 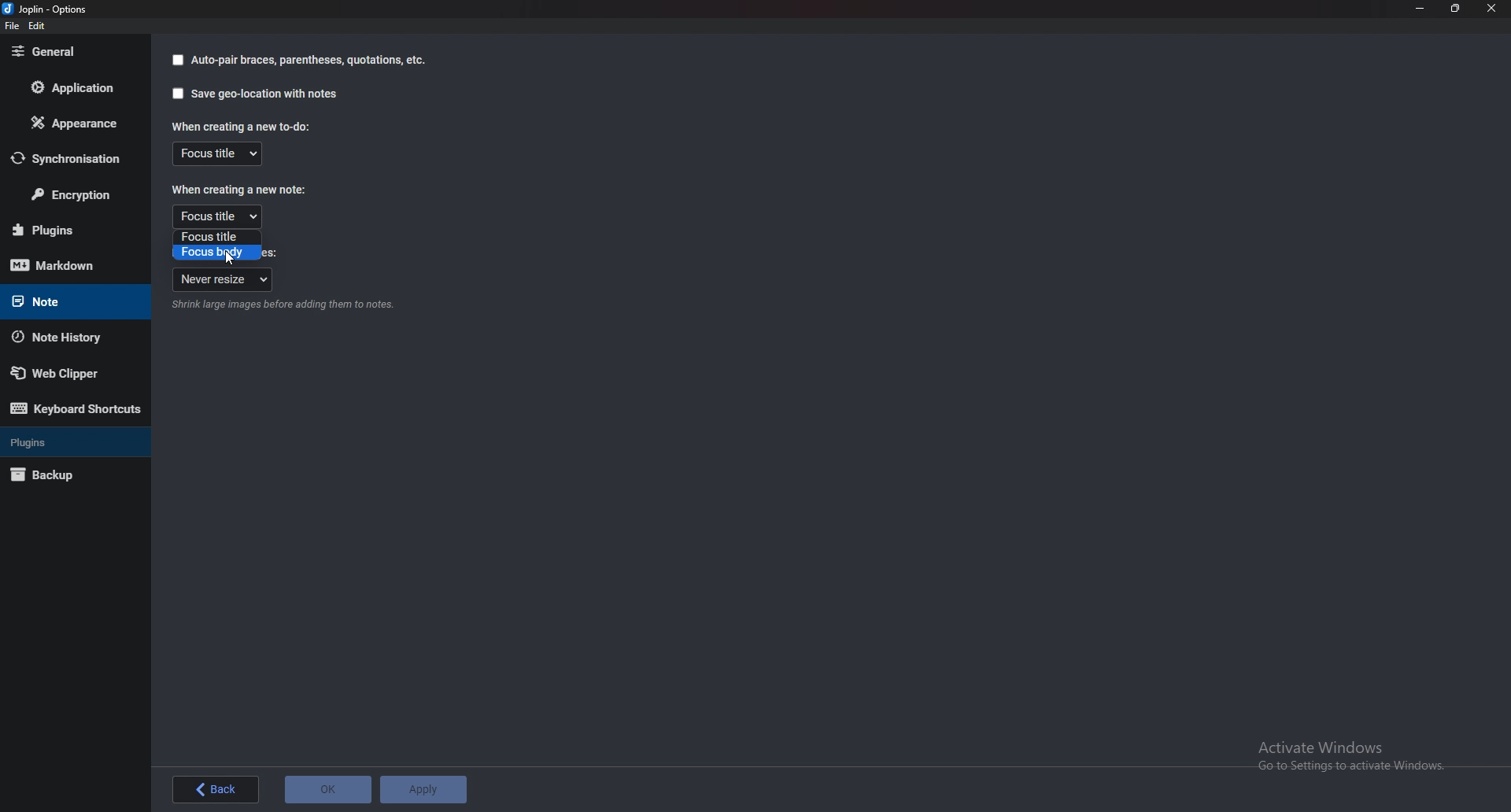 What do you see at coordinates (222, 280) in the screenshot?
I see `Never resize` at bounding box center [222, 280].